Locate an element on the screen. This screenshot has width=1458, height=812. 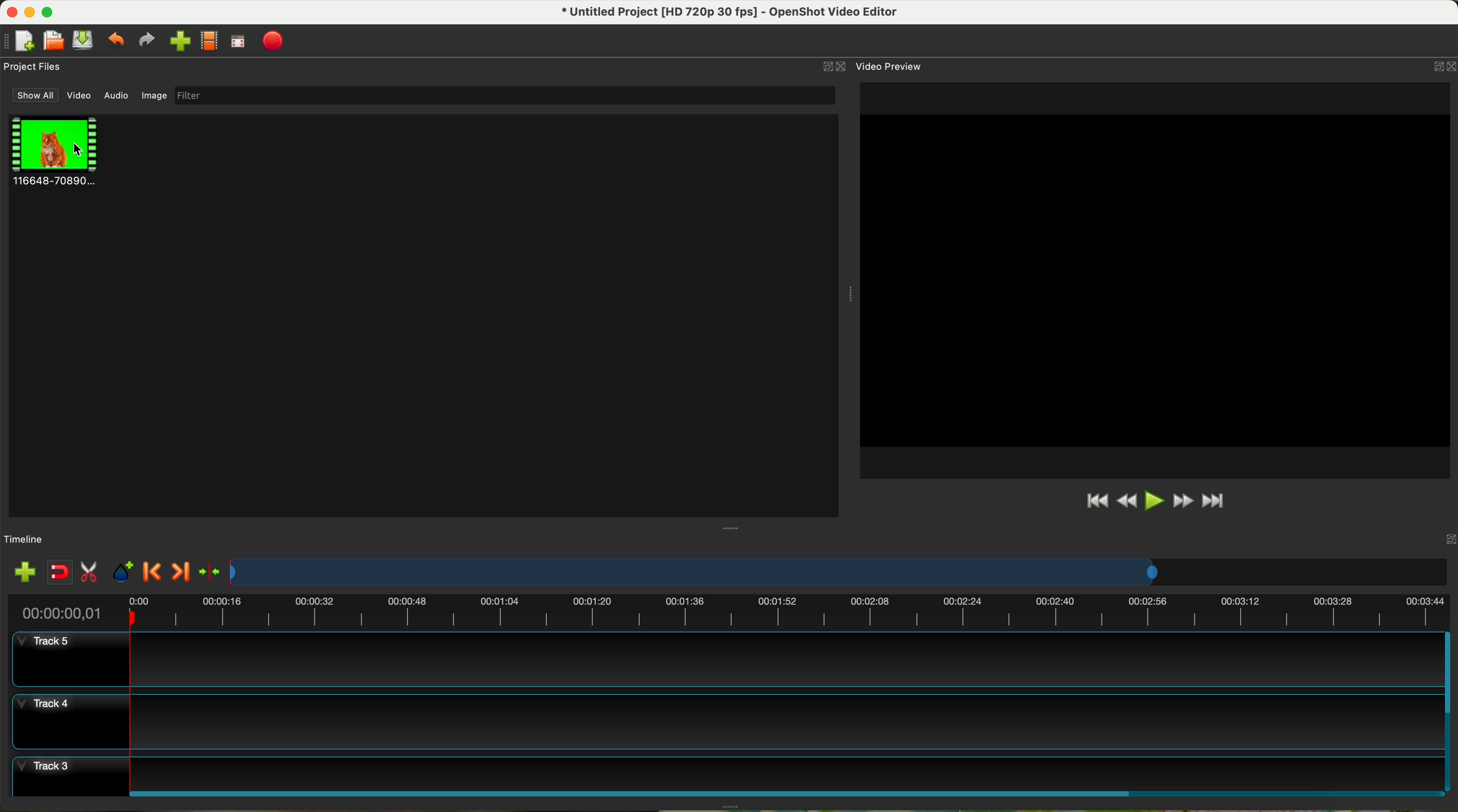
export video is located at coordinates (273, 42).